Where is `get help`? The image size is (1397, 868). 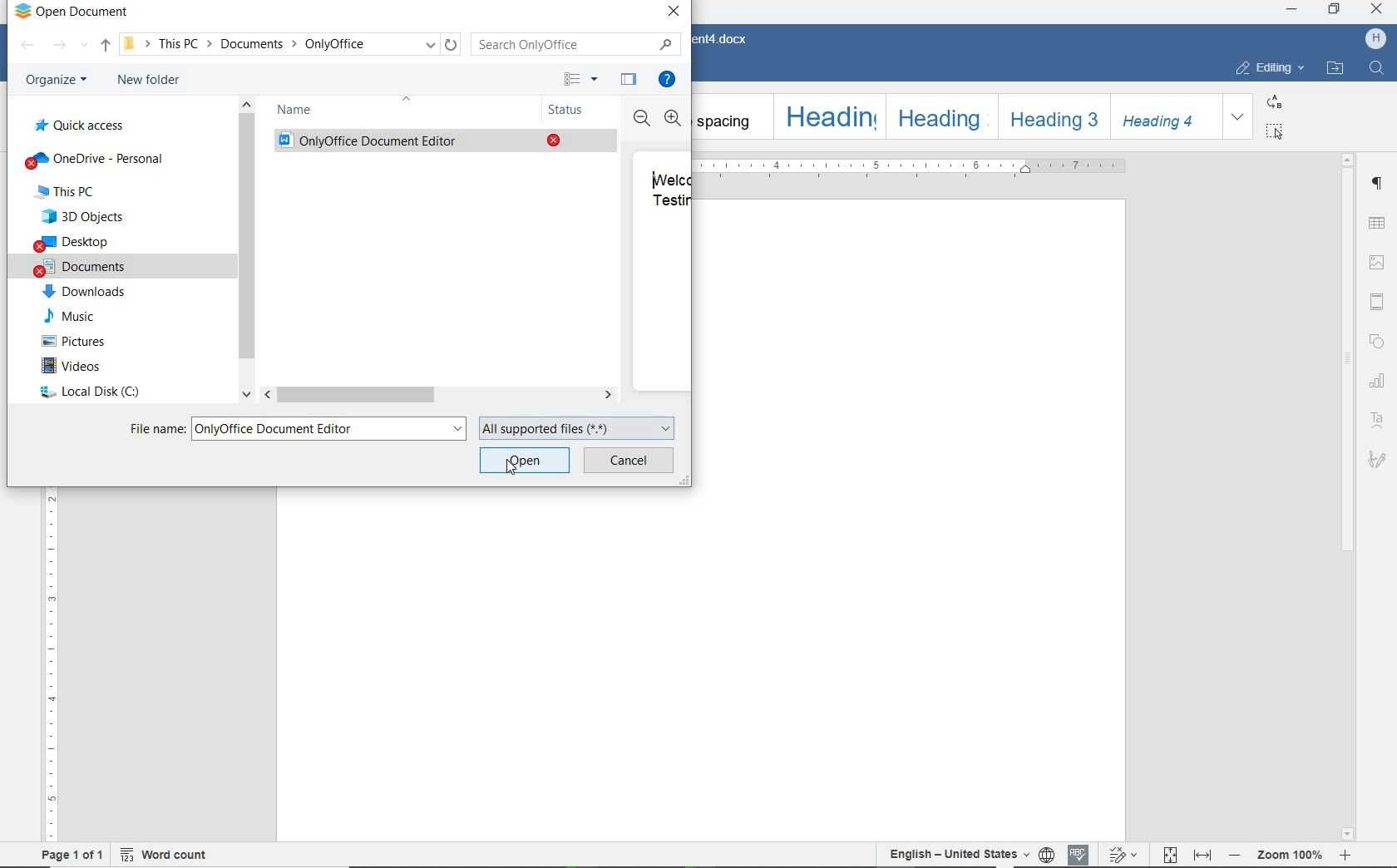
get help is located at coordinates (665, 77).